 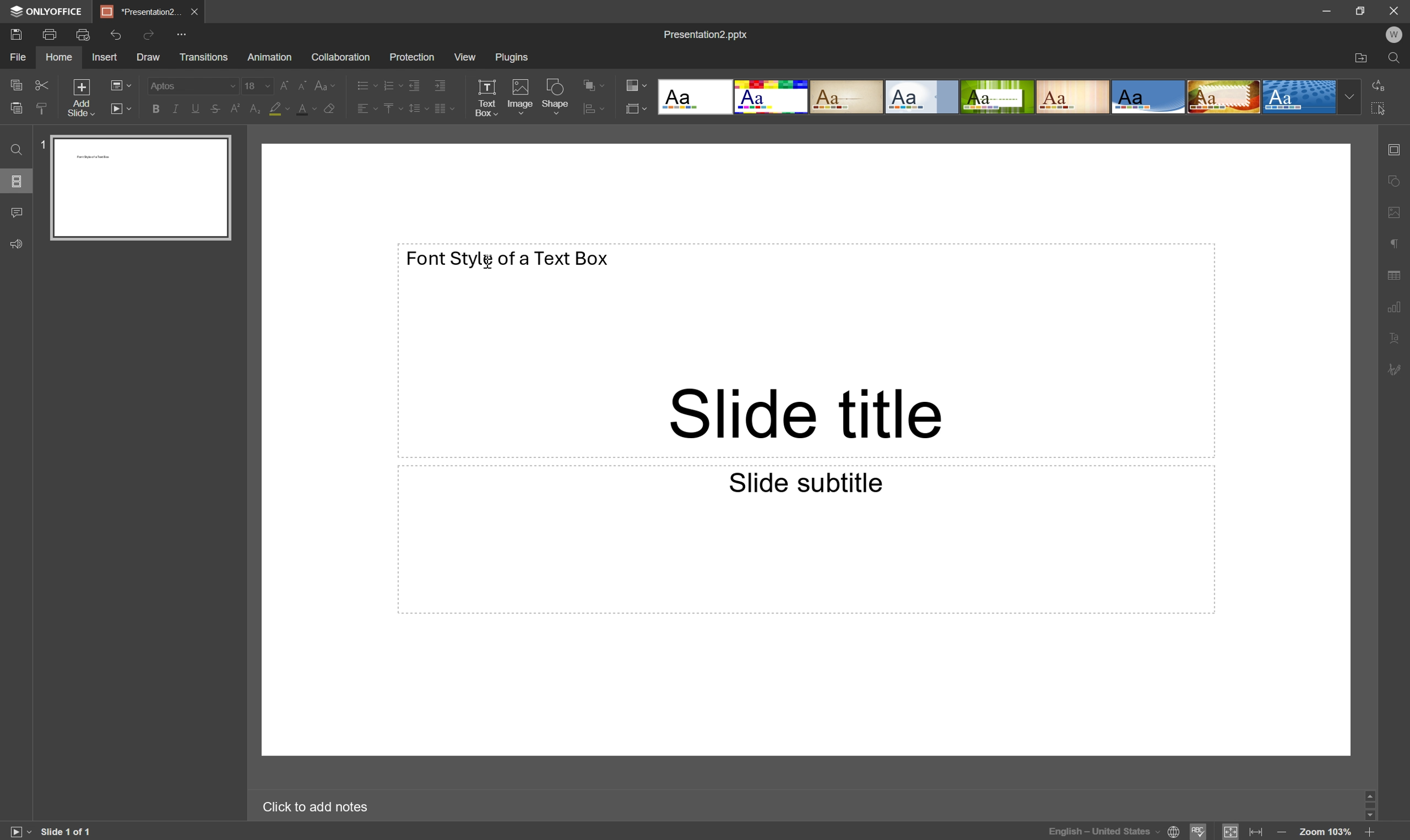 I want to click on Protection, so click(x=412, y=57).